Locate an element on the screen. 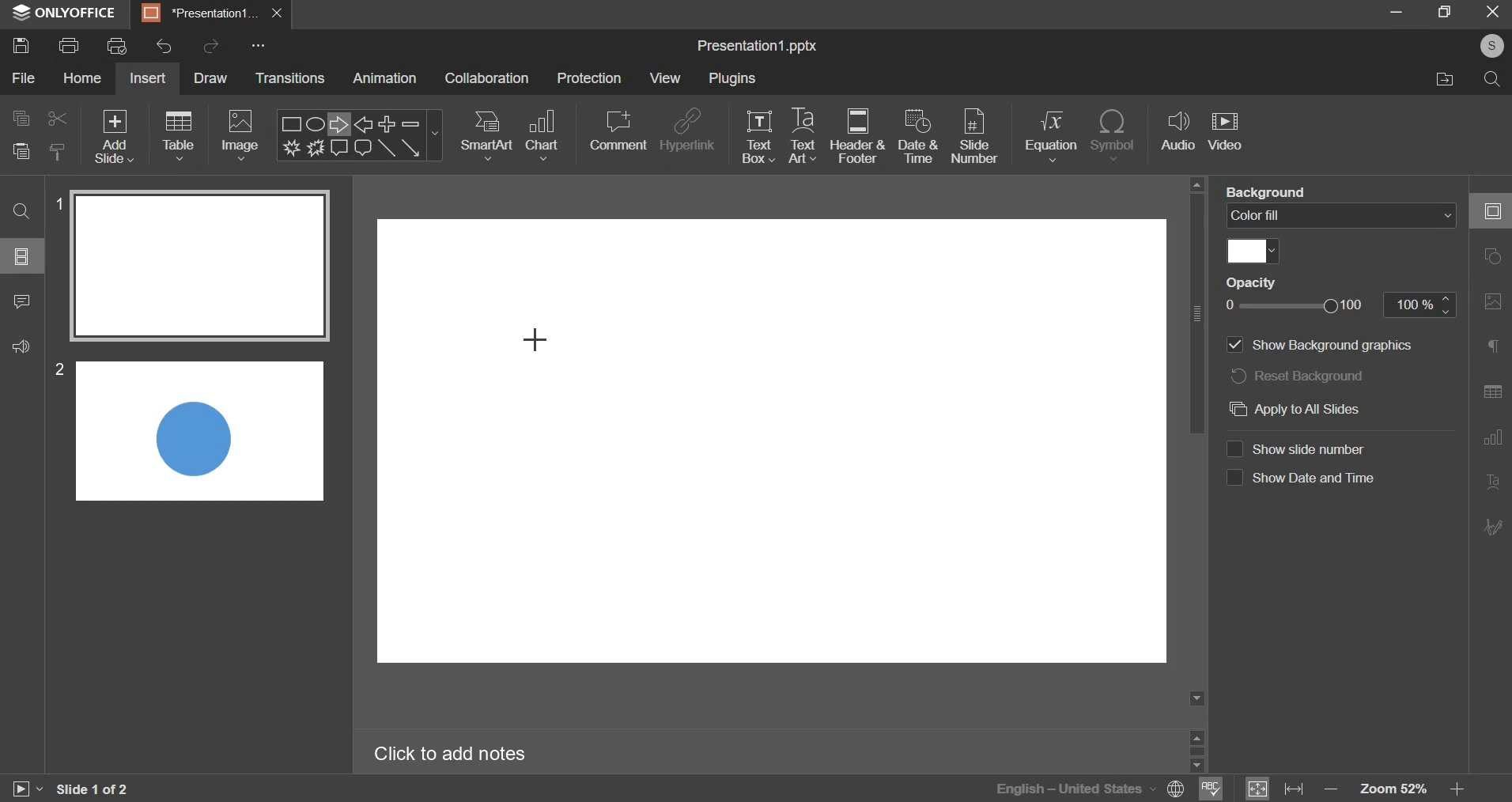 The width and height of the screenshot is (1512, 802). copy is located at coordinates (21, 118).